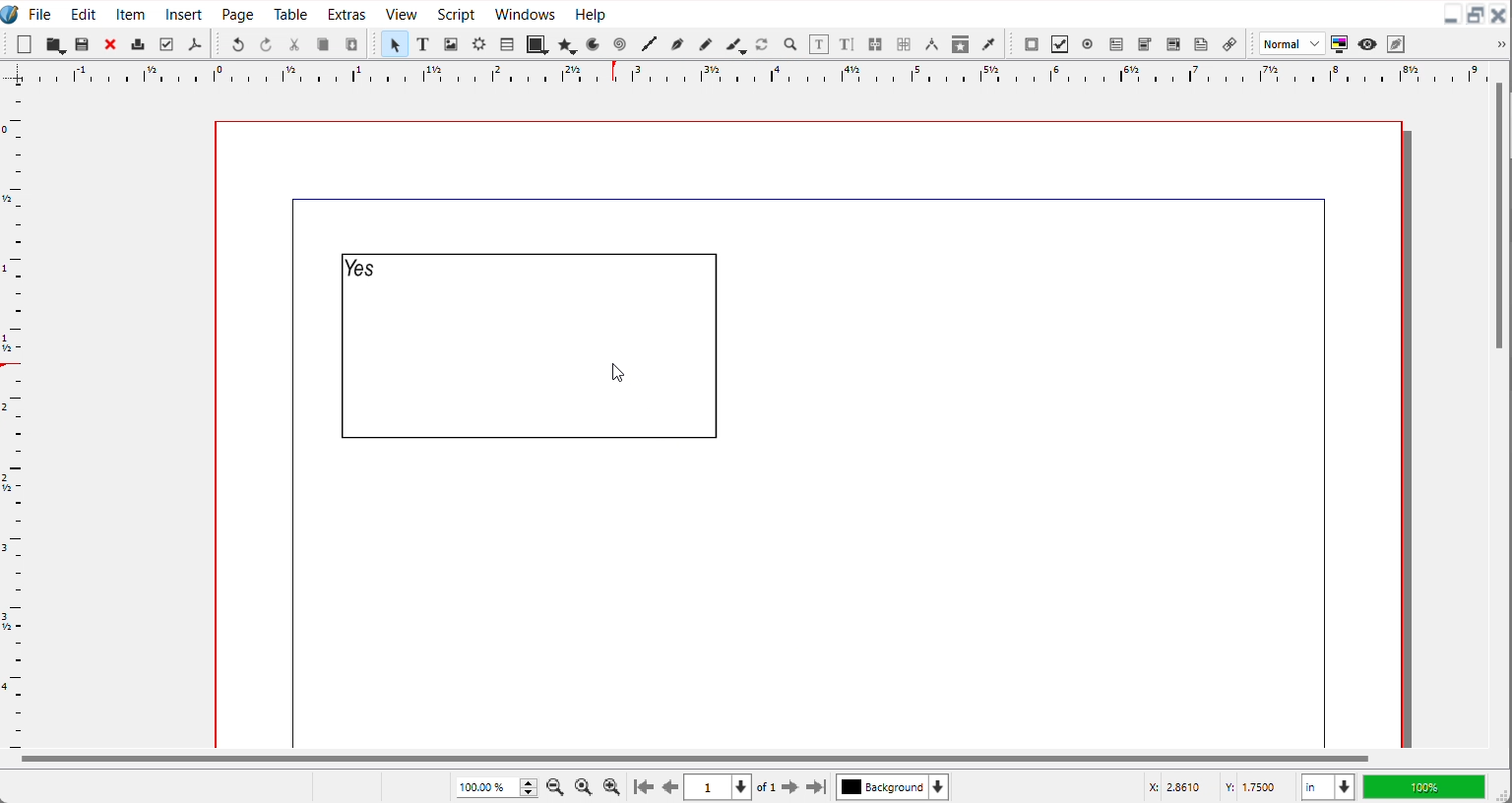  Describe the element at coordinates (649, 44) in the screenshot. I see `Line` at that location.